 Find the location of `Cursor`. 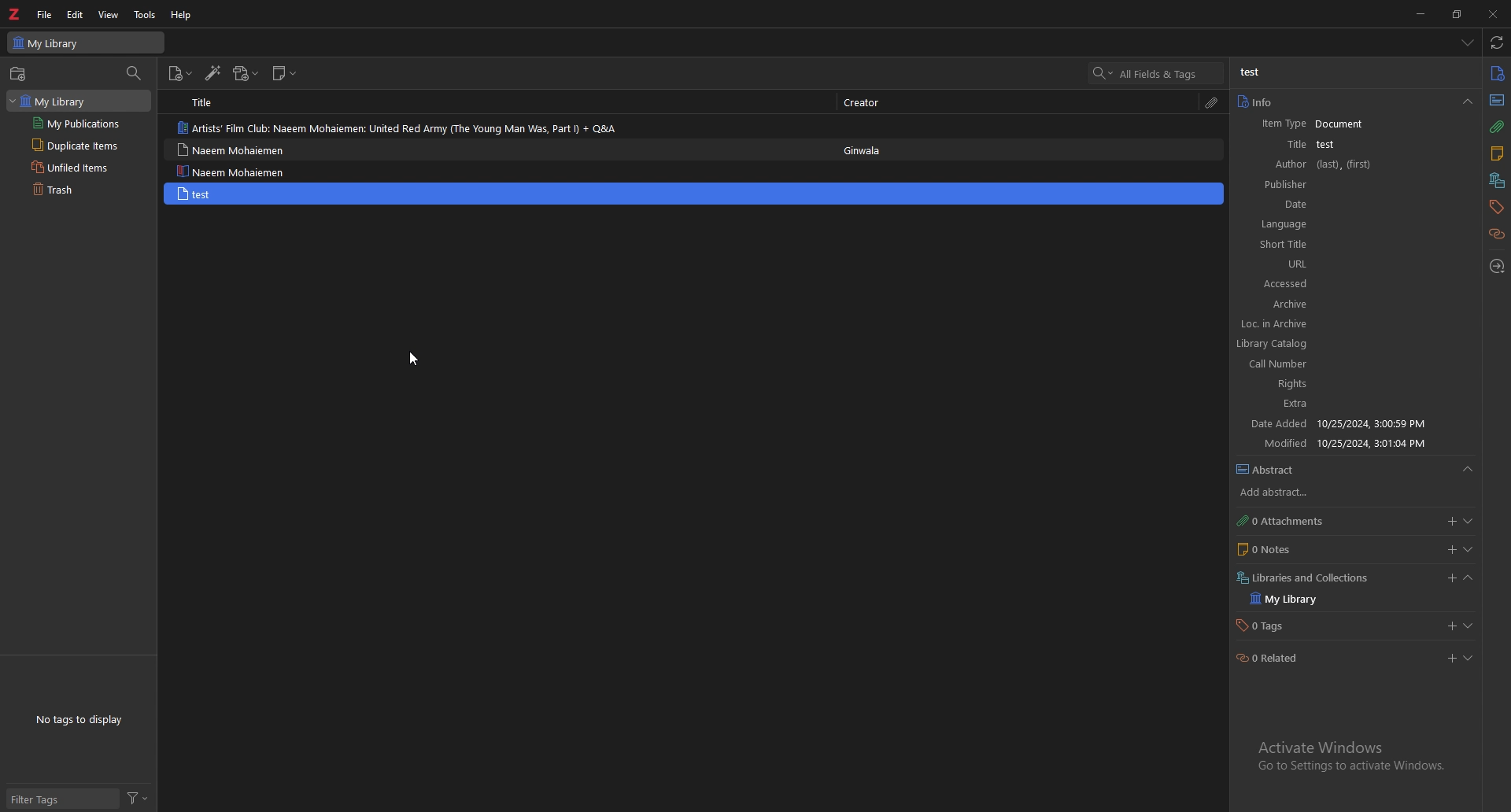

Cursor is located at coordinates (412, 356).